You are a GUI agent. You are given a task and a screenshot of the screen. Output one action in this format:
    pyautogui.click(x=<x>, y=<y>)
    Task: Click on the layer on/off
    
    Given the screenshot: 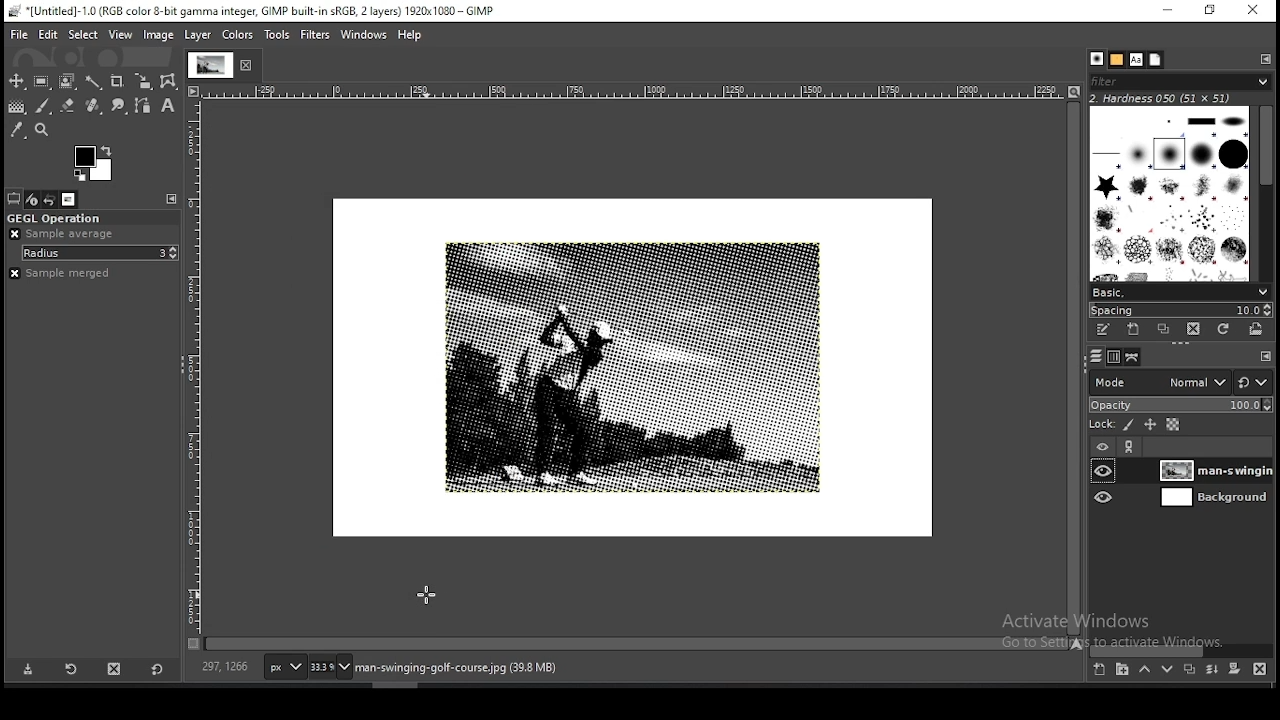 What is the action you would take?
    pyautogui.click(x=1103, y=445)
    